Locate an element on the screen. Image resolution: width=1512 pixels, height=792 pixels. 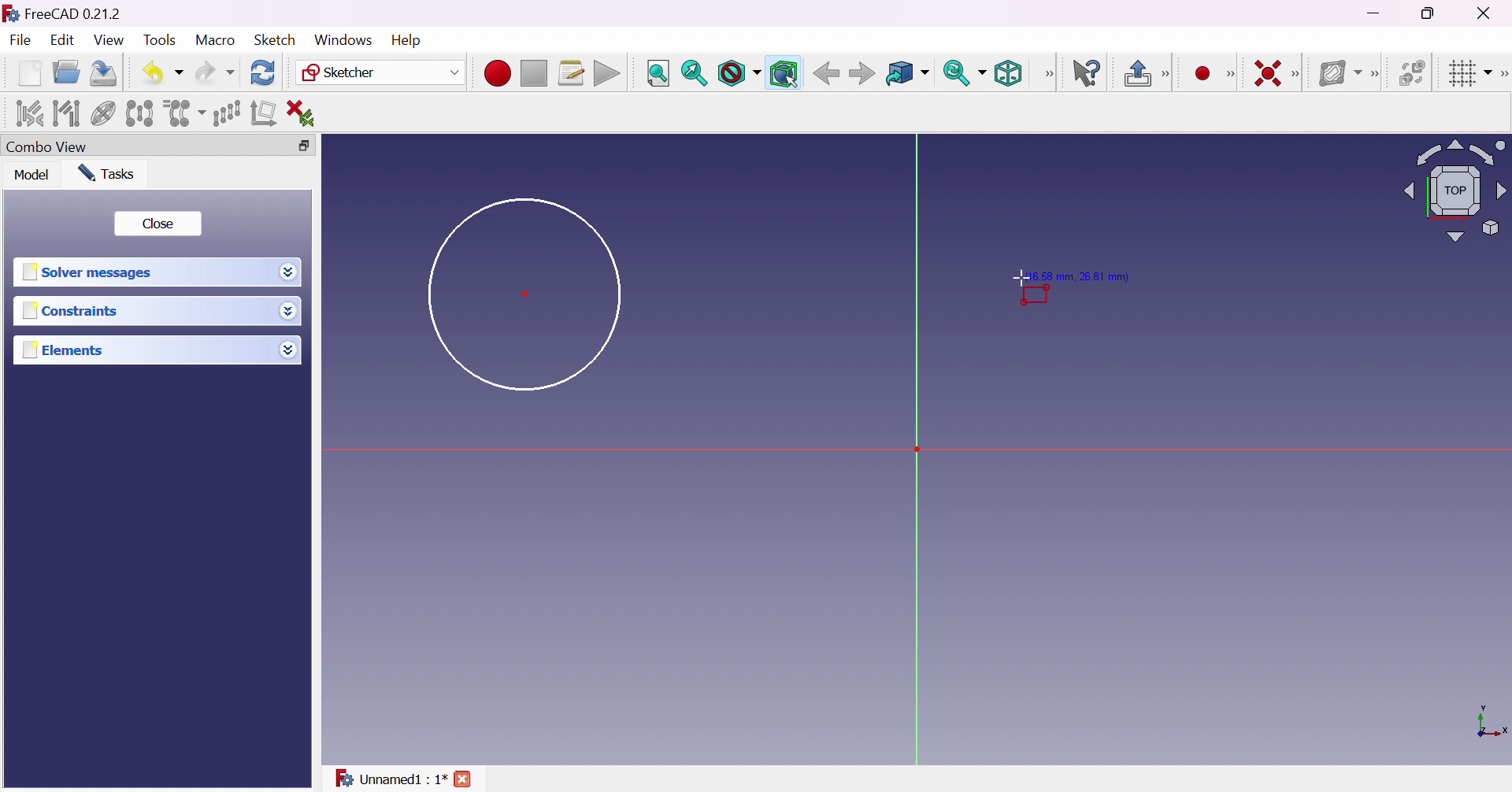
Sketch is located at coordinates (274, 39).